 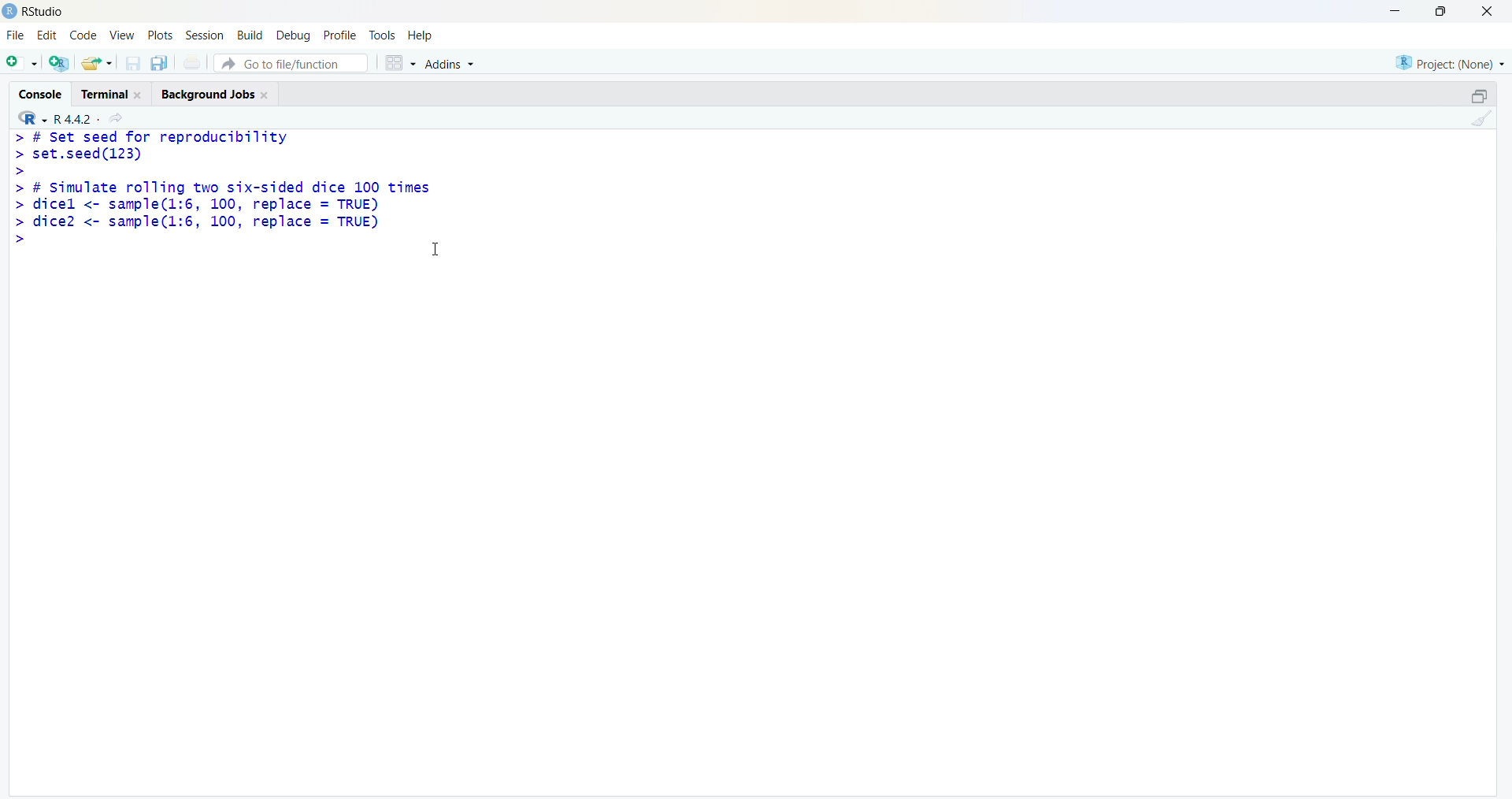 What do you see at coordinates (46, 13) in the screenshot?
I see `RStudio` at bounding box center [46, 13].